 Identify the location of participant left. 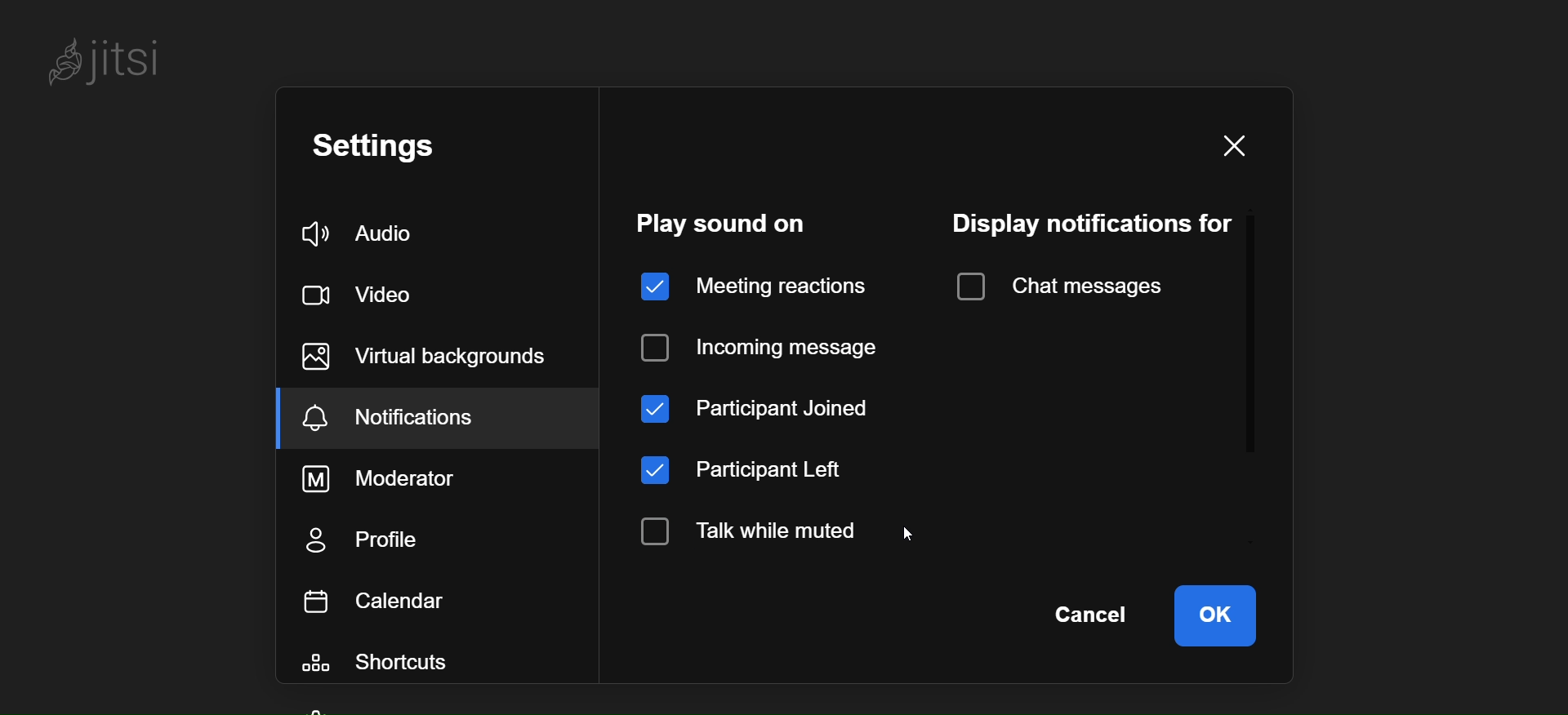
(755, 472).